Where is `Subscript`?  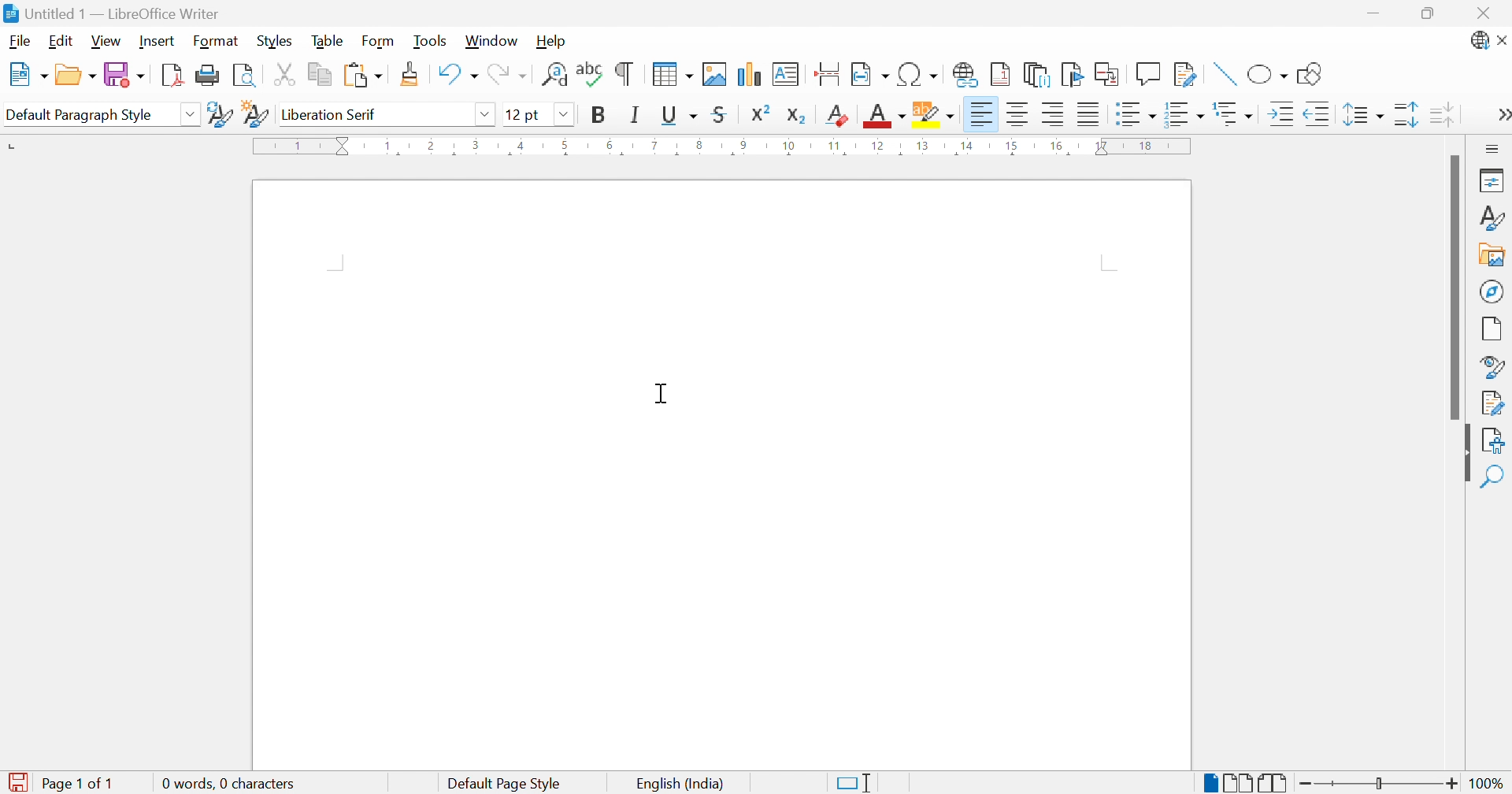 Subscript is located at coordinates (796, 116).